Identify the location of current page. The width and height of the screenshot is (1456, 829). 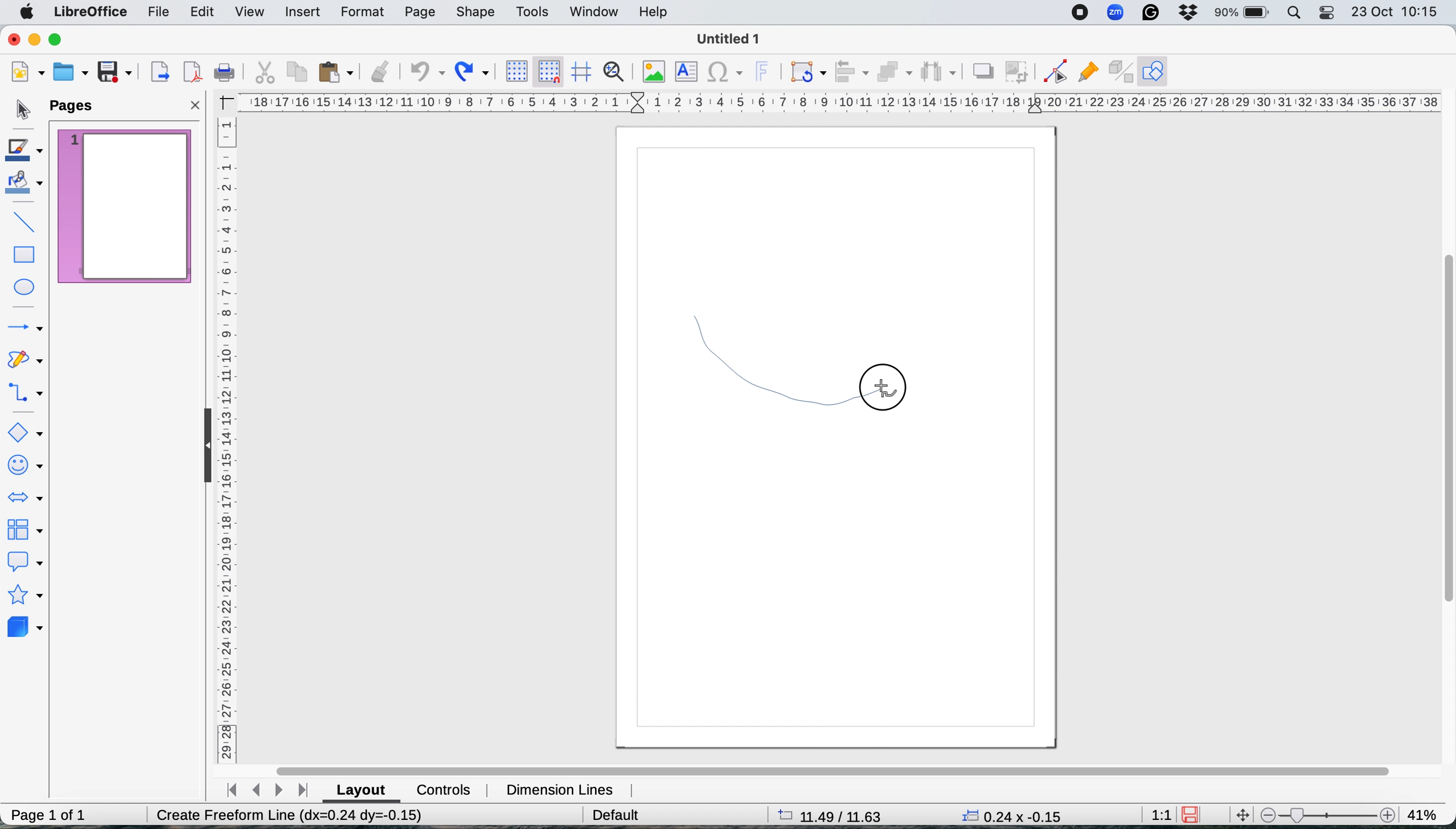
(121, 208).